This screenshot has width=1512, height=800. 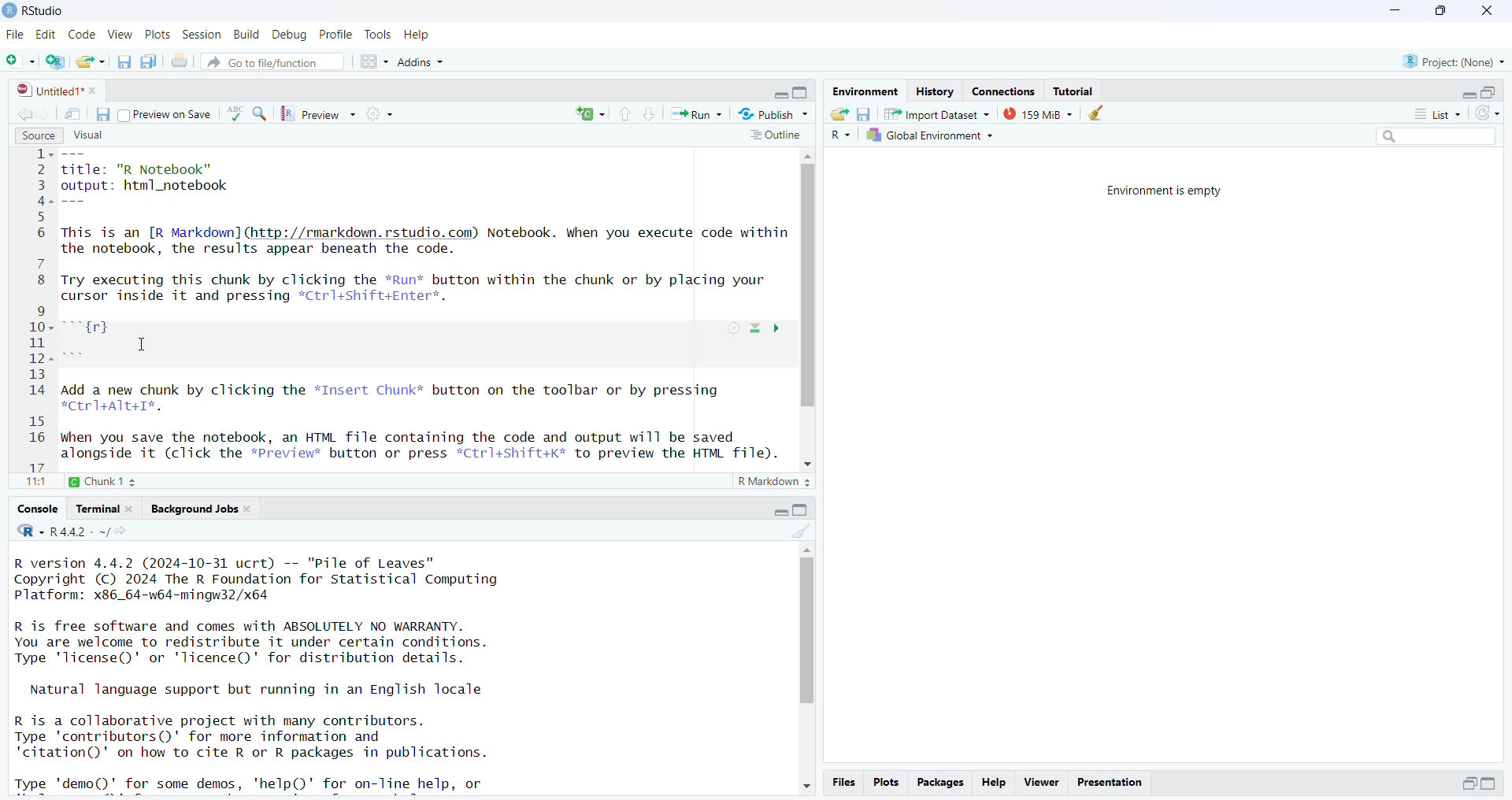 I want to click on line numbers, so click(x=42, y=309).